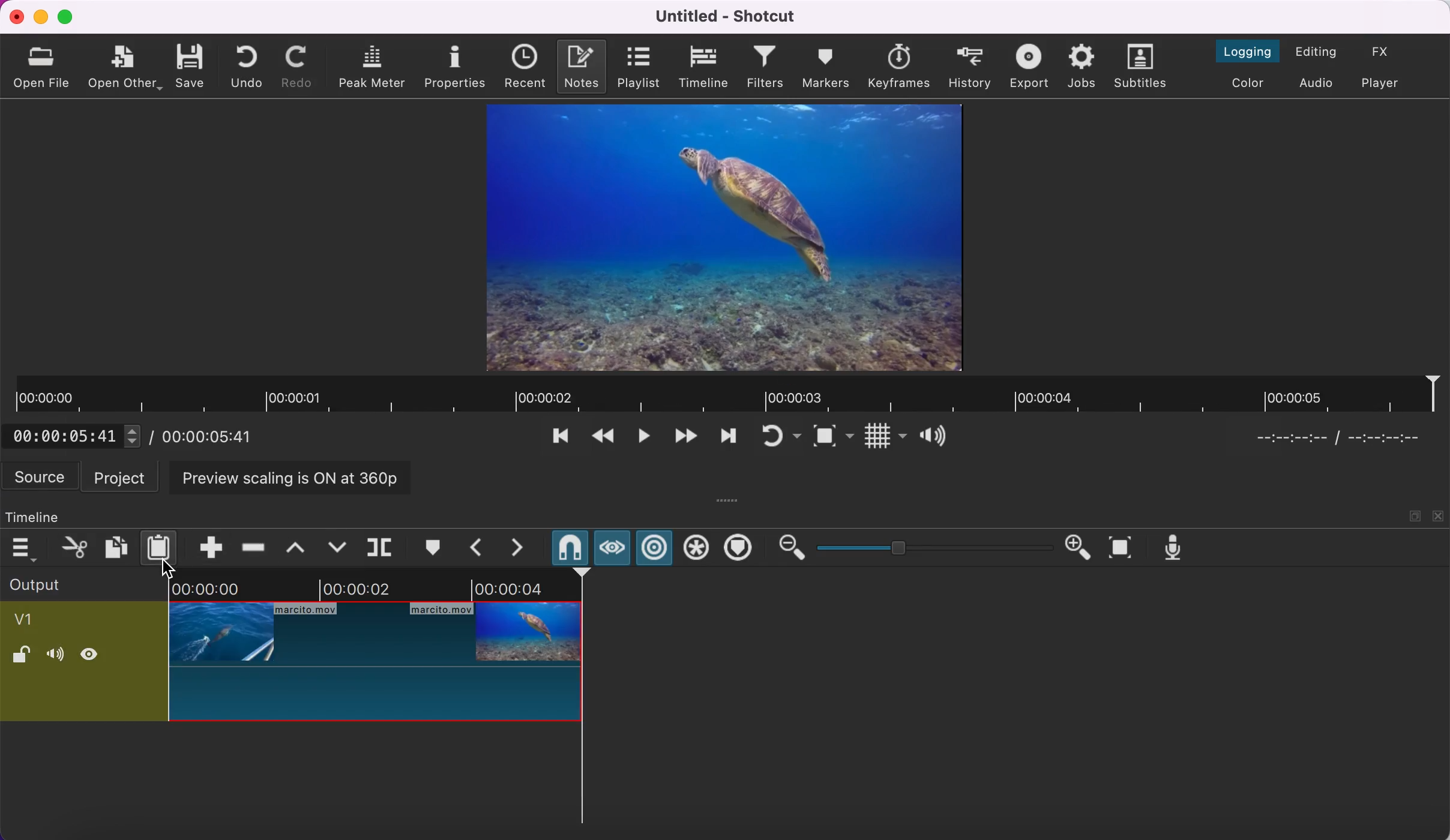 The width and height of the screenshot is (1450, 840). Describe the element at coordinates (640, 439) in the screenshot. I see `toggle play or pause` at that location.